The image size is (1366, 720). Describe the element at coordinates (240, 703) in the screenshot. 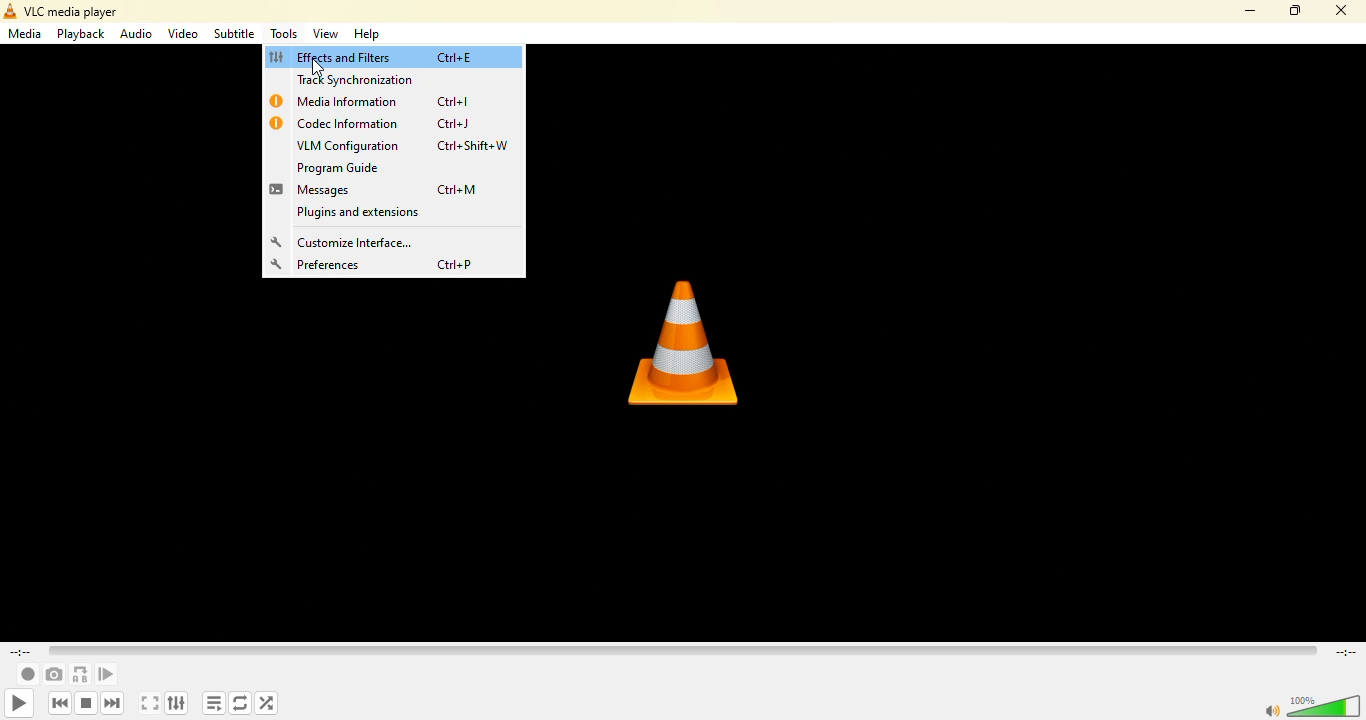

I see `click to toggle between loop all, loop one and no loop` at that location.